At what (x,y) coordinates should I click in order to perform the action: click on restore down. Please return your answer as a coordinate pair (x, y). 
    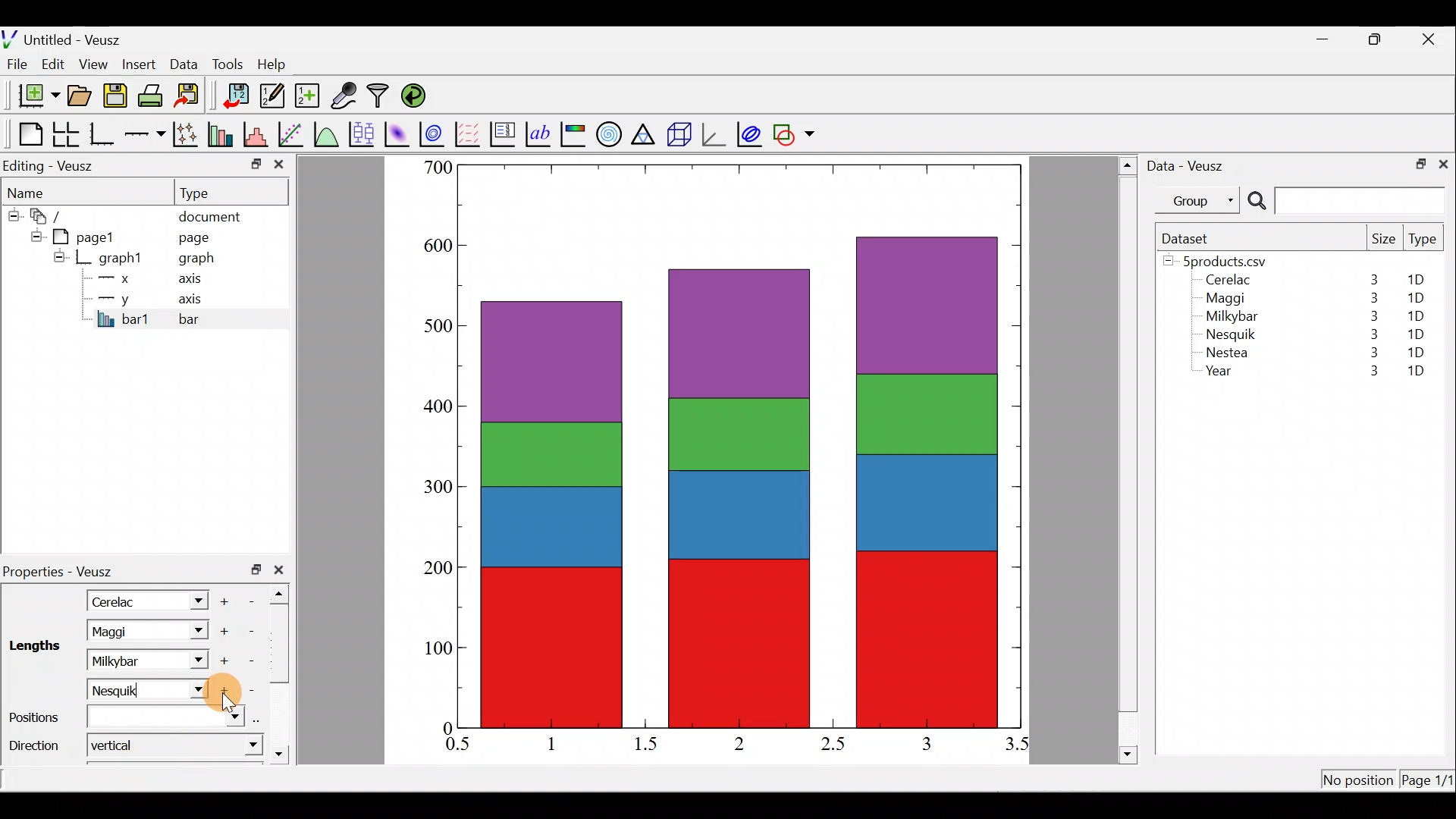
    Looking at the image, I should click on (1377, 39).